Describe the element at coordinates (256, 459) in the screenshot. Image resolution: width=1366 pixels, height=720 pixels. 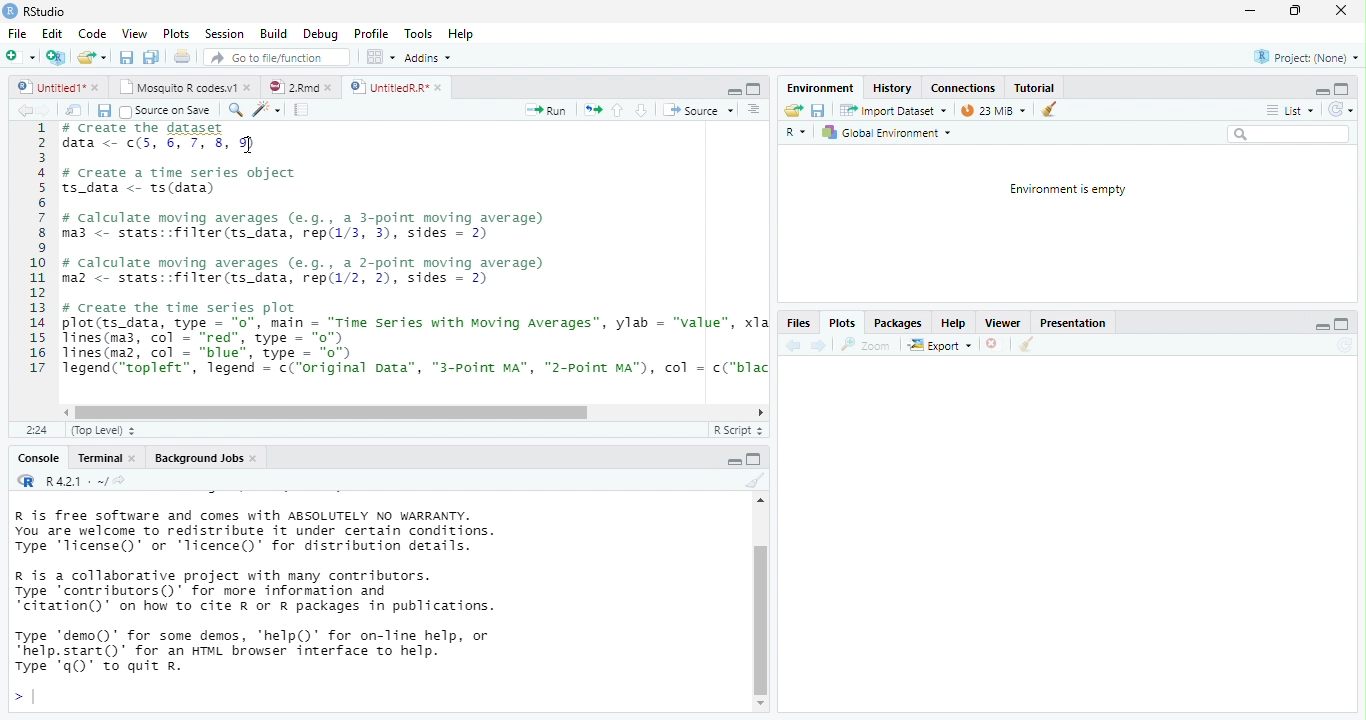
I see `close` at that location.